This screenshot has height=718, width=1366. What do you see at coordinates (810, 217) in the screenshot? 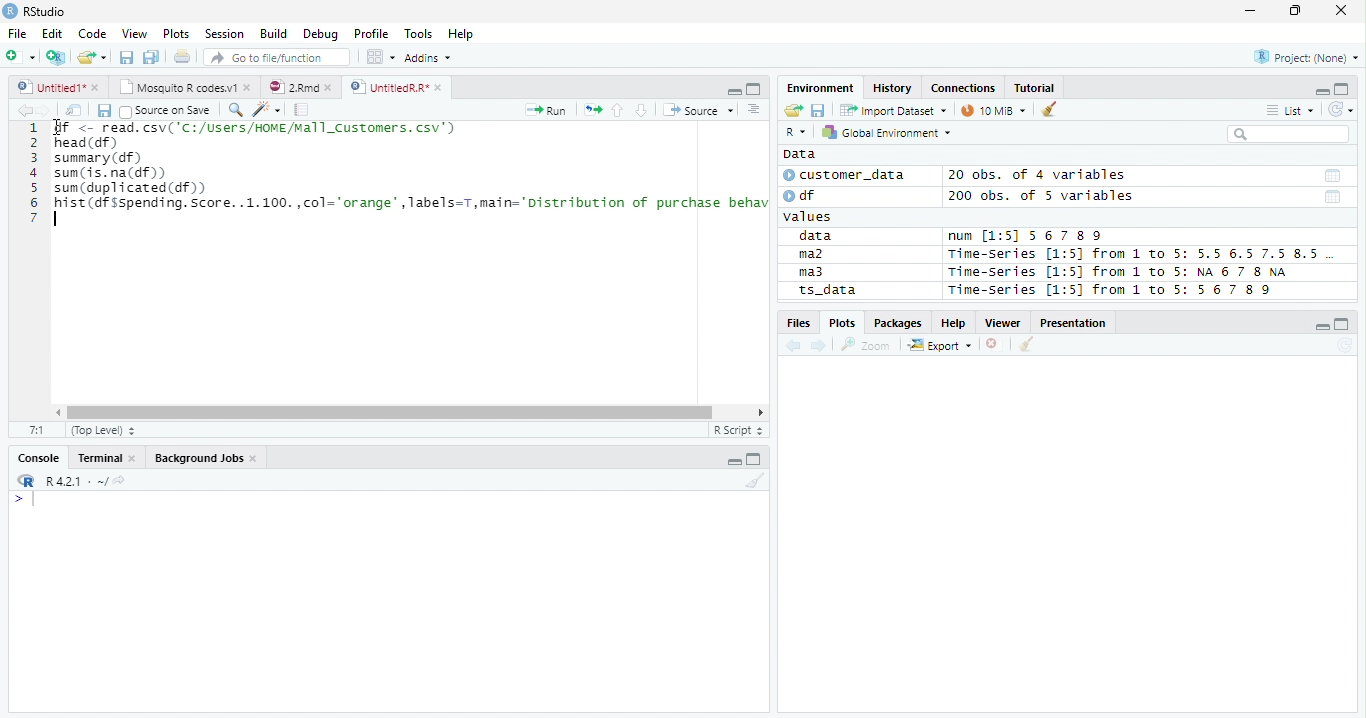
I see `values` at bounding box center [810, 217].